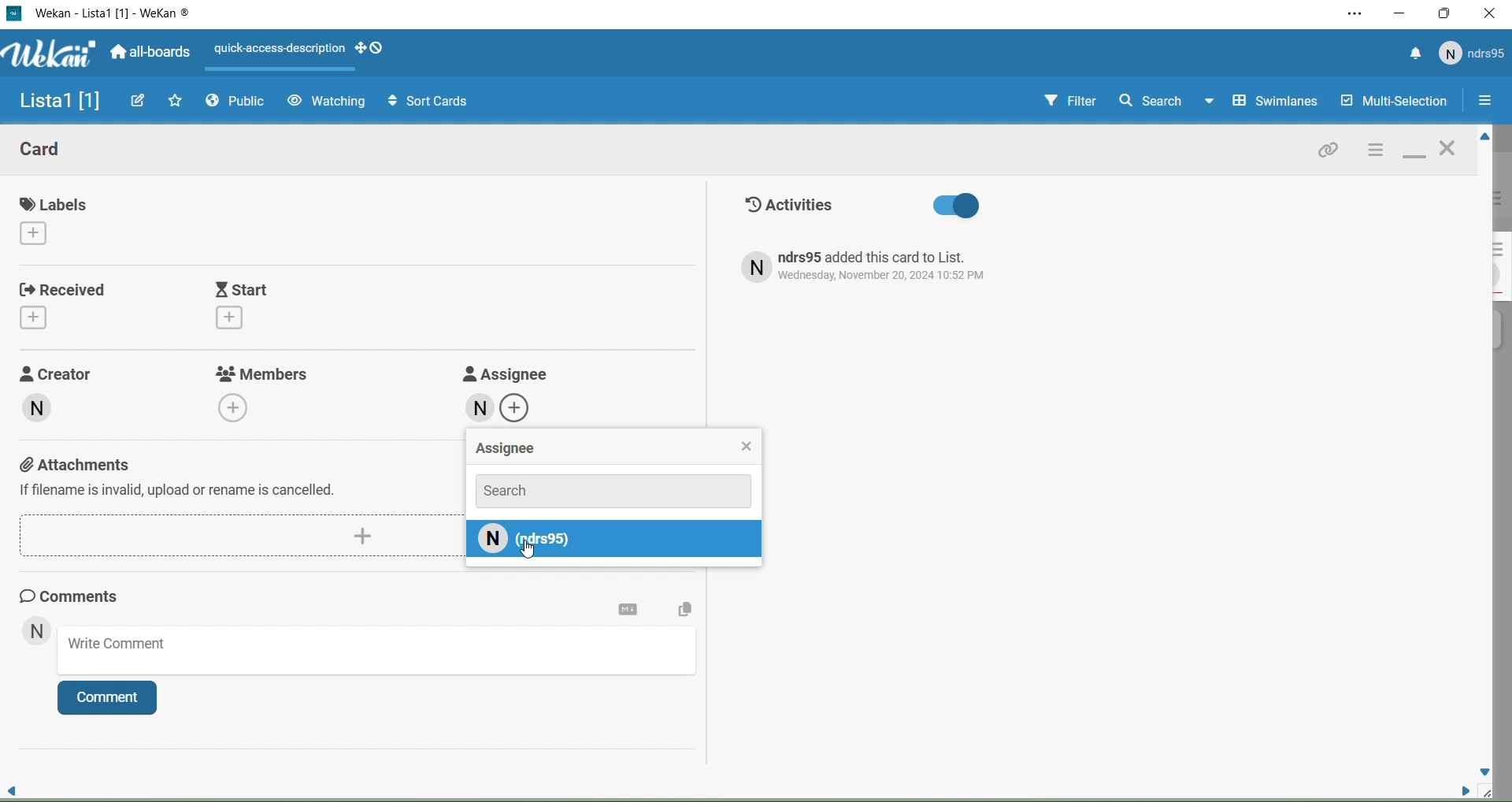 The image size is (1512, 802). What do you see at coordinates (67, 303) in the screenshot?
I see `Received` at bounding box center [67, 303].